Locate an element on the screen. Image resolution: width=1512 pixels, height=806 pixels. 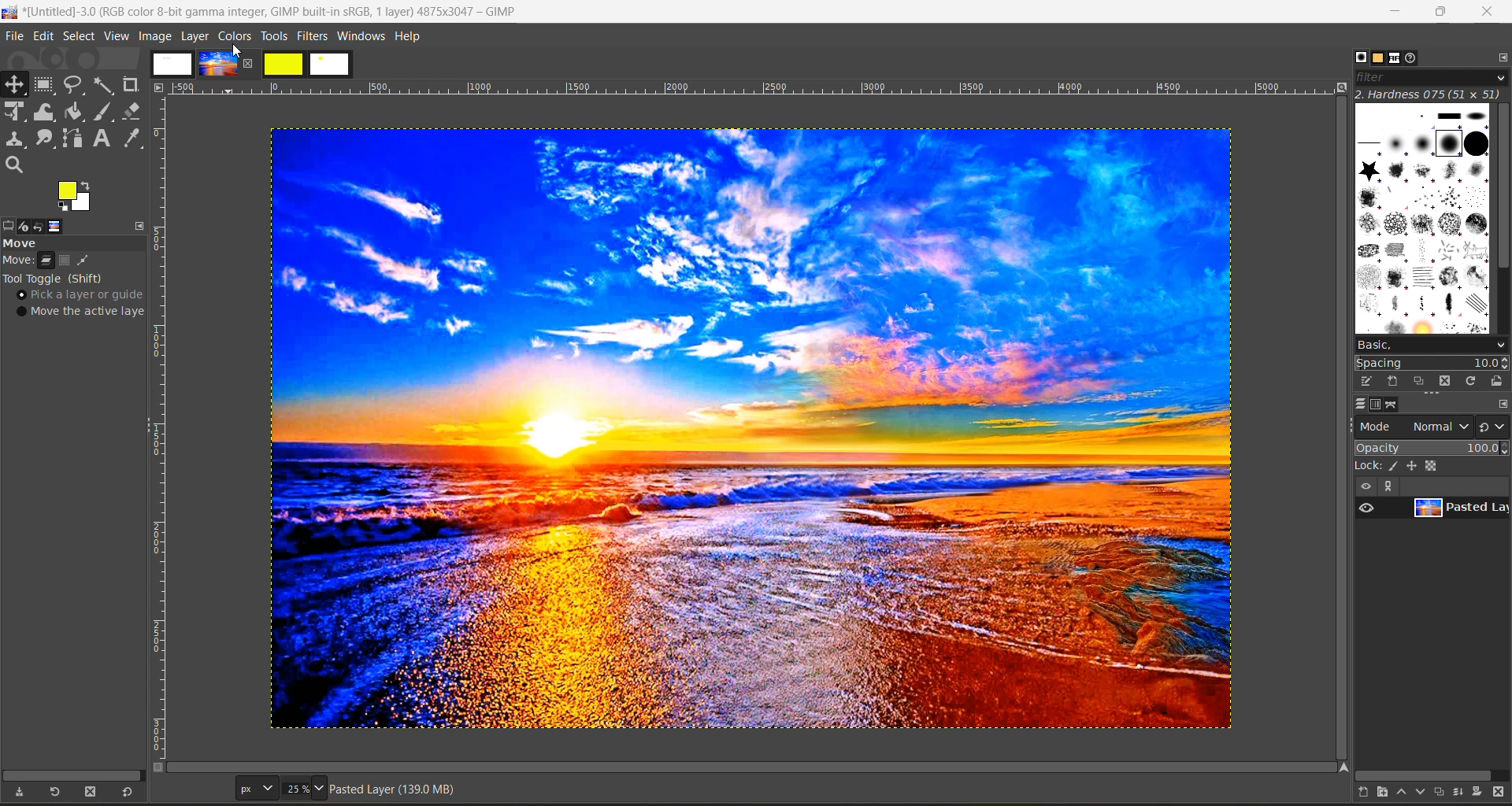
horizontal scroll bar is located at coordinates (69, 775).